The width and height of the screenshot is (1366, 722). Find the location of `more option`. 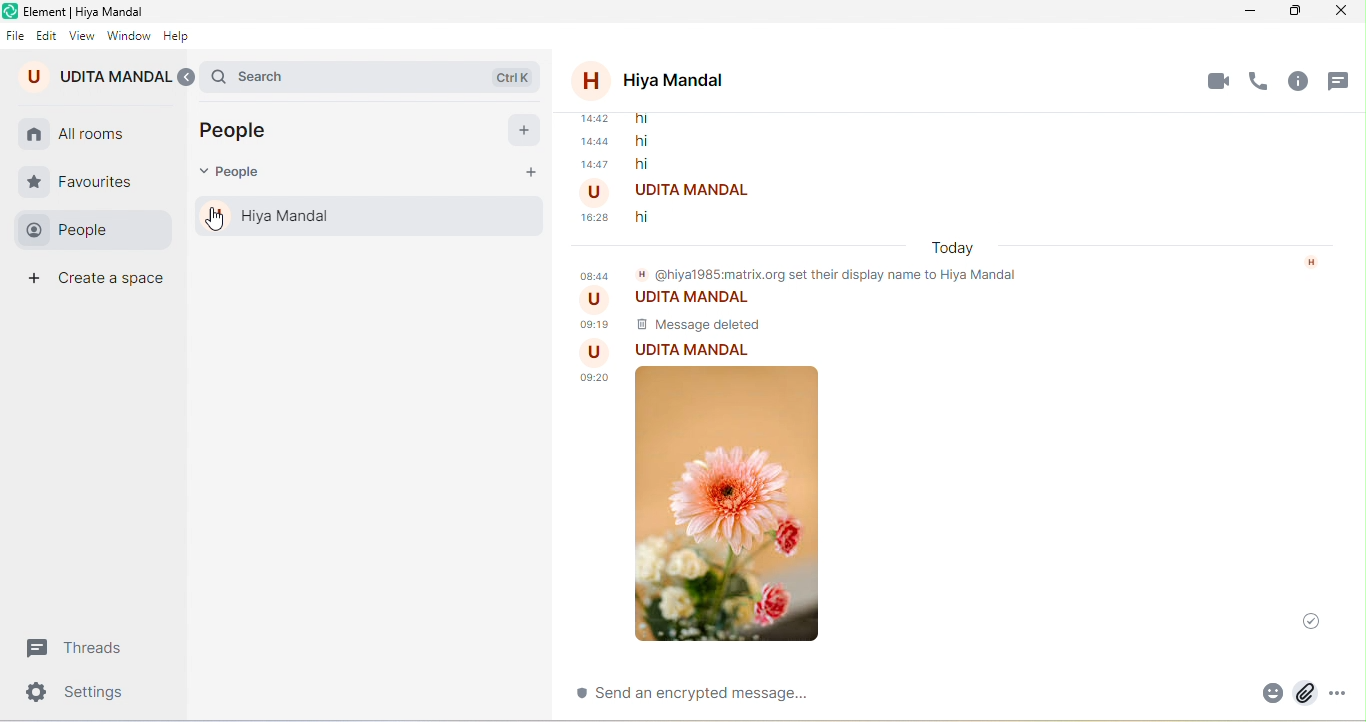

more option is located at coordinates (1347, 693).